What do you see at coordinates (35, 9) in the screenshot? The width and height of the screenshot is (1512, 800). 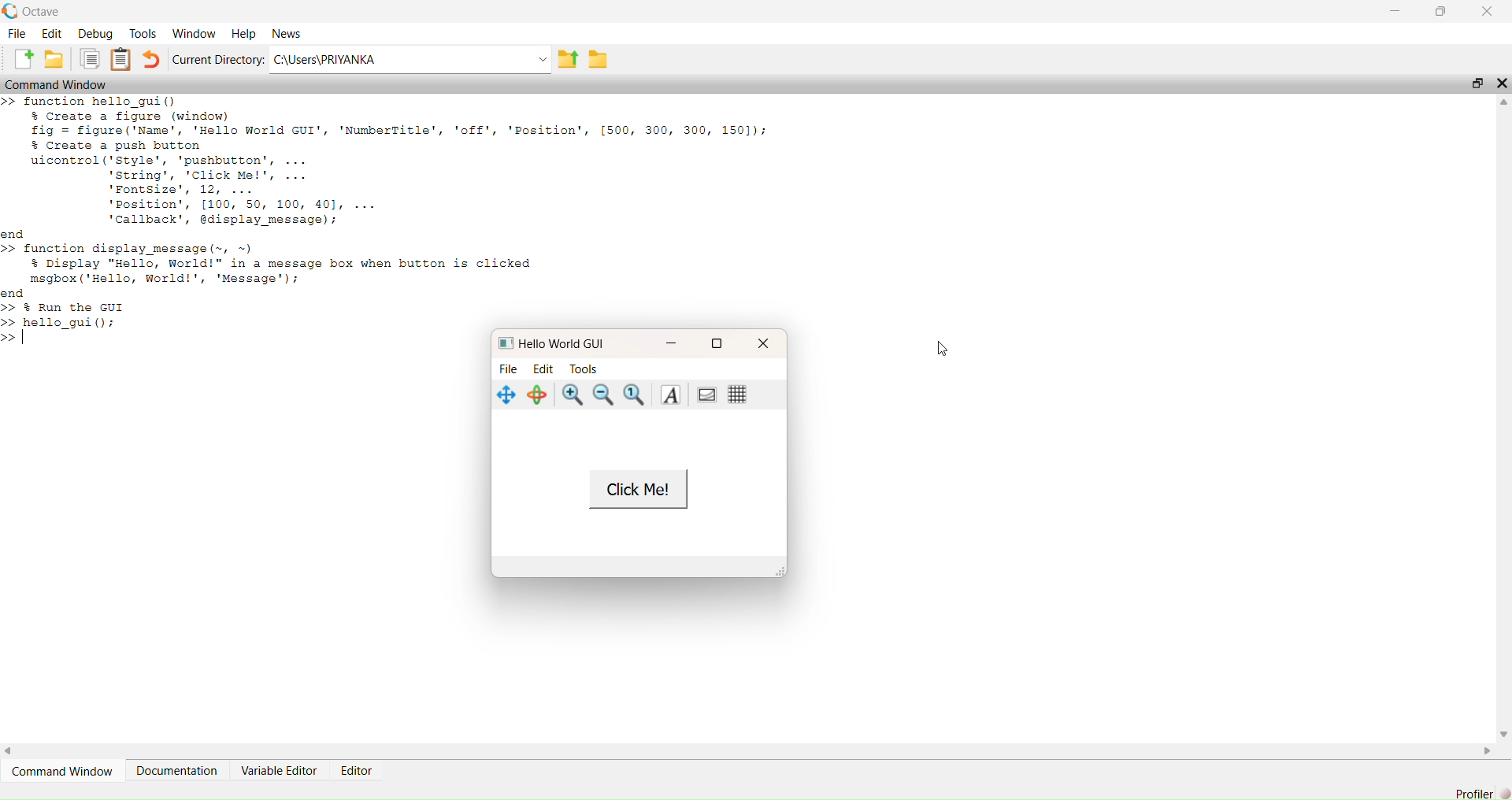 I see `Octave` at bounding box center [35, 9].